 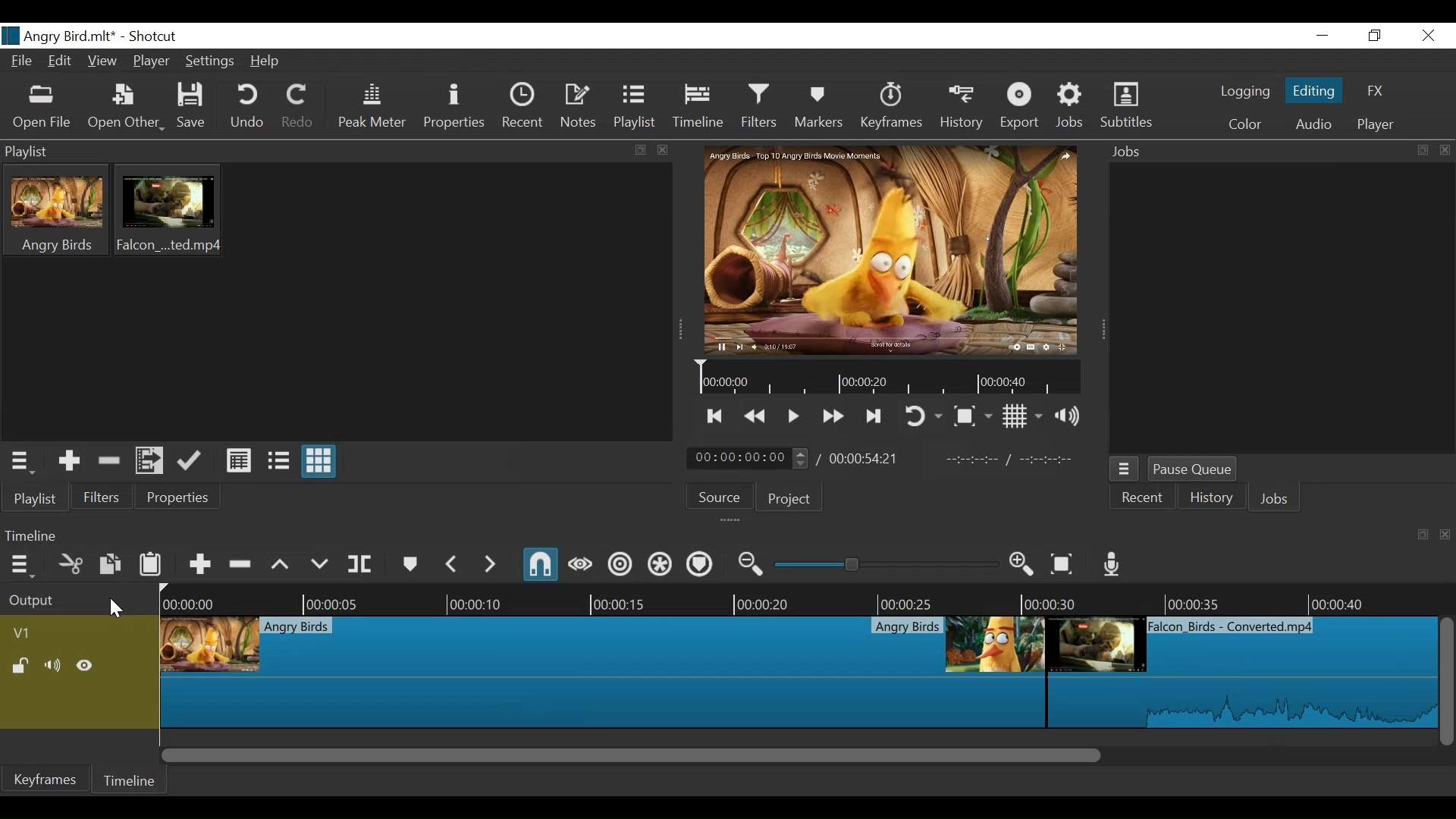 What do you see at coordinates (240, 564) in the screenshot?
I see `Ripple delete` at bounding box center [240, 564].